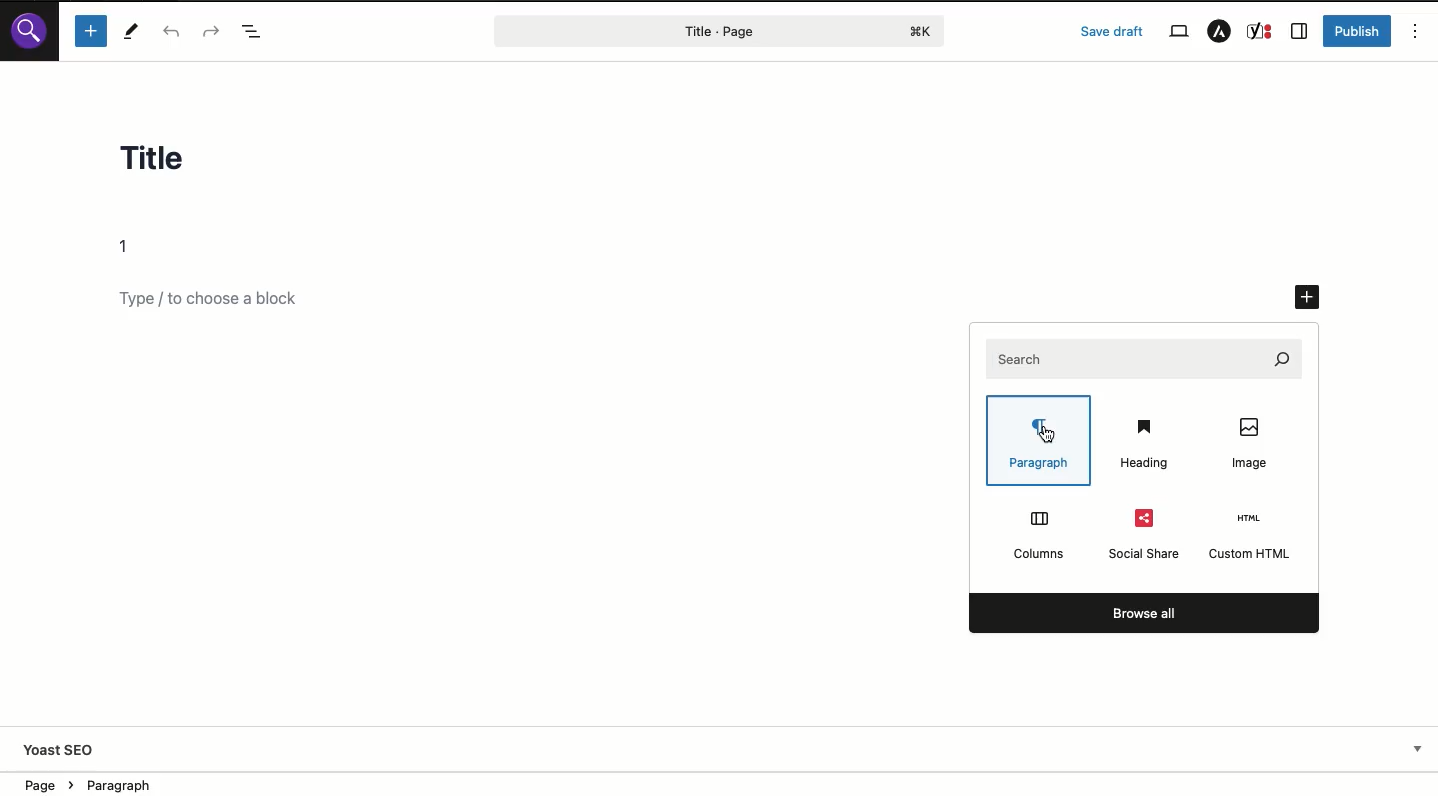 The width and height of the screenshot is (1438, 796). I want to click on Options, so click(1416, 30).